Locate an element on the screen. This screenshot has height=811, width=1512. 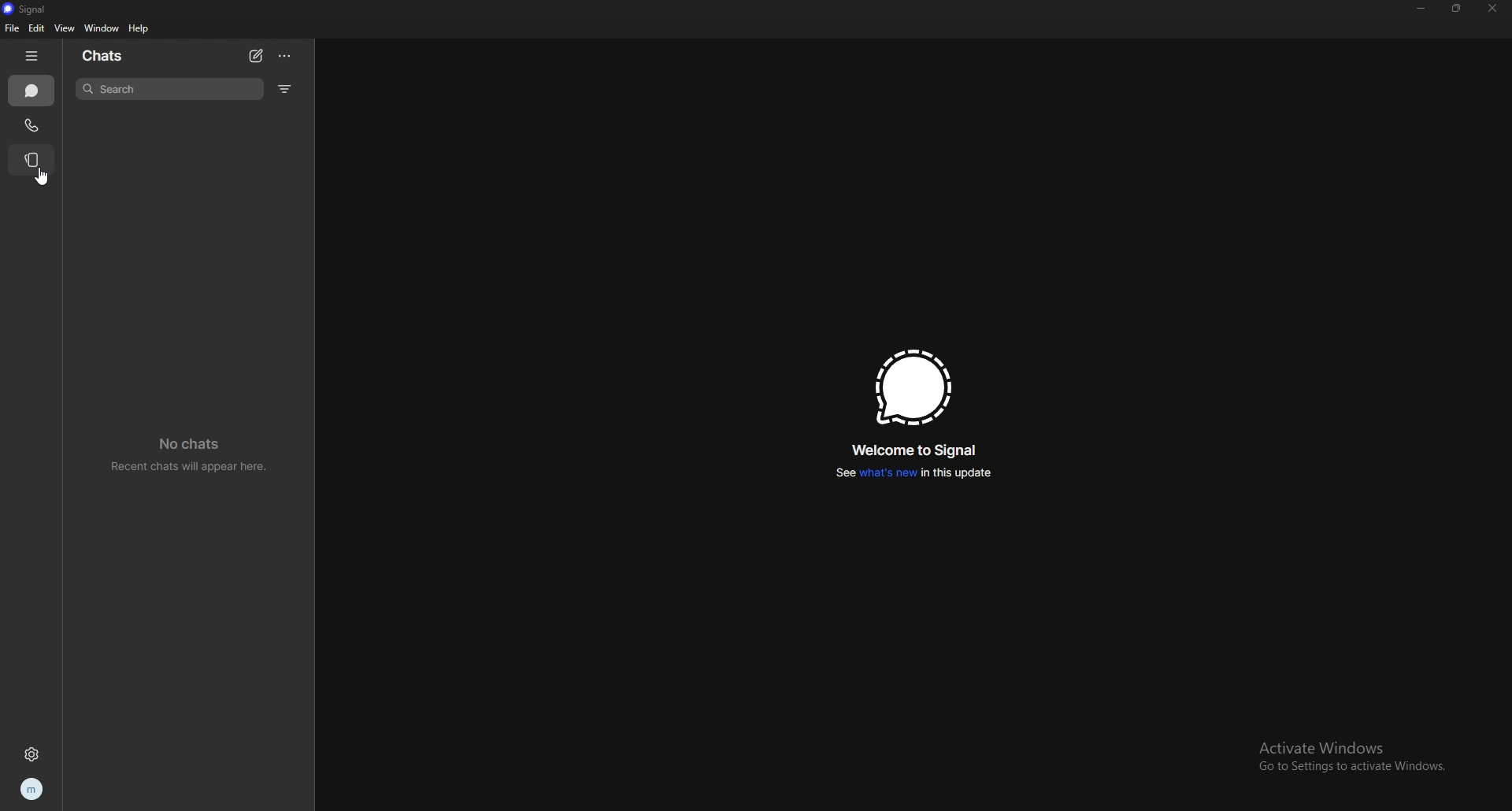
see whats new in this update is located at coordinates (910, 475).